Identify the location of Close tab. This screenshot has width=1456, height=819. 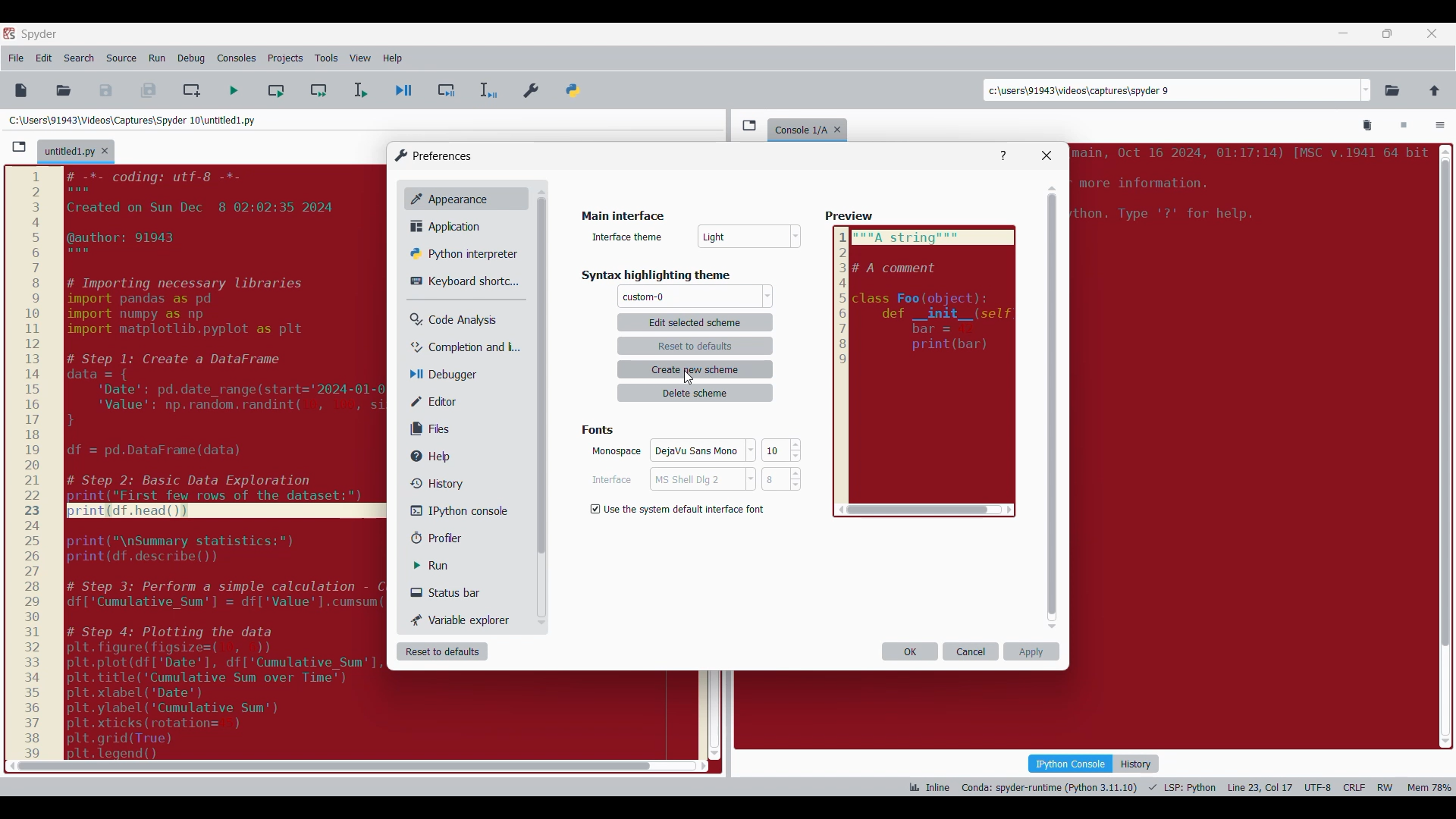
(1432, 33).